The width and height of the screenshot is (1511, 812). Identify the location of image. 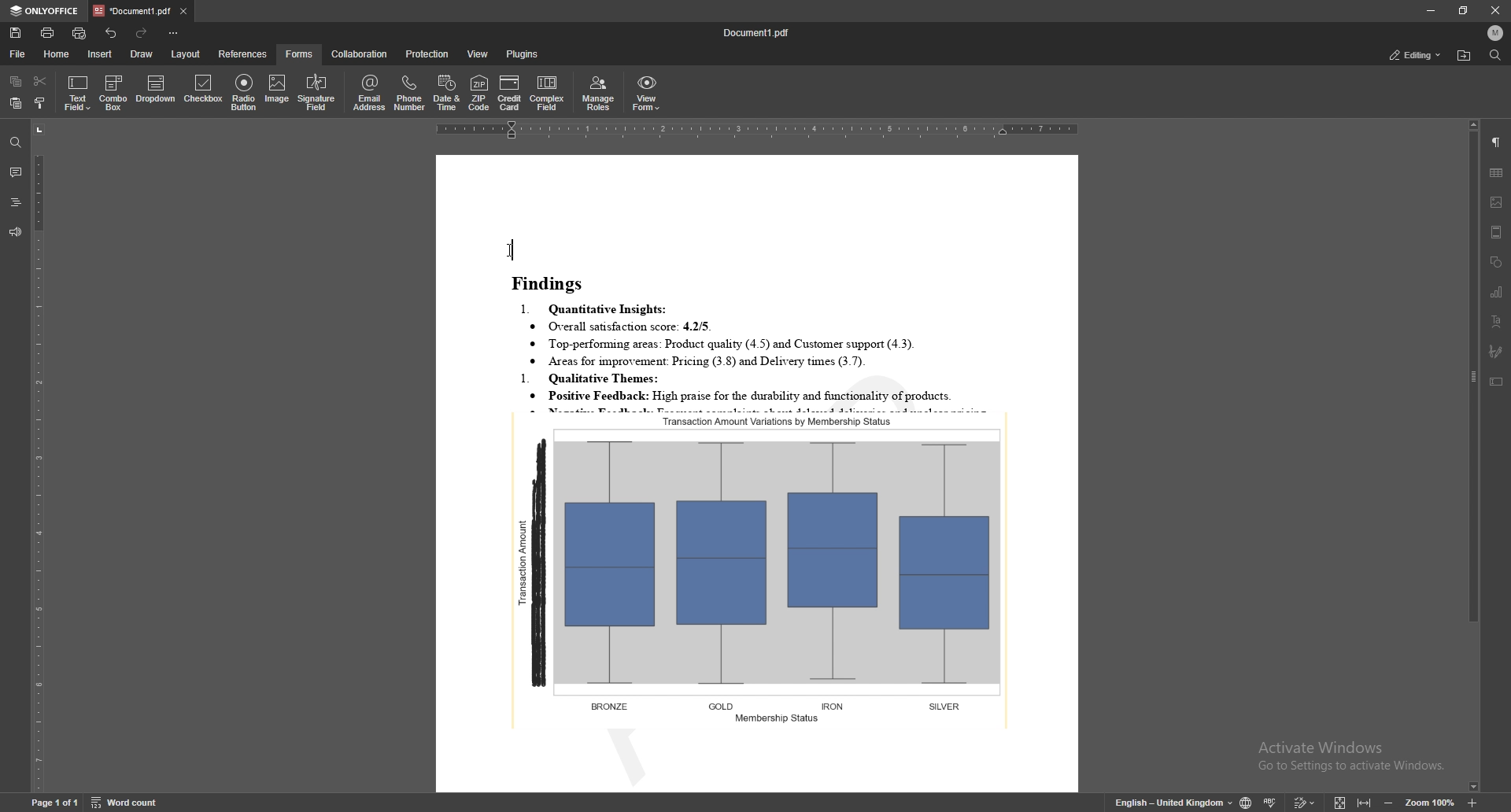
(1496, 202).